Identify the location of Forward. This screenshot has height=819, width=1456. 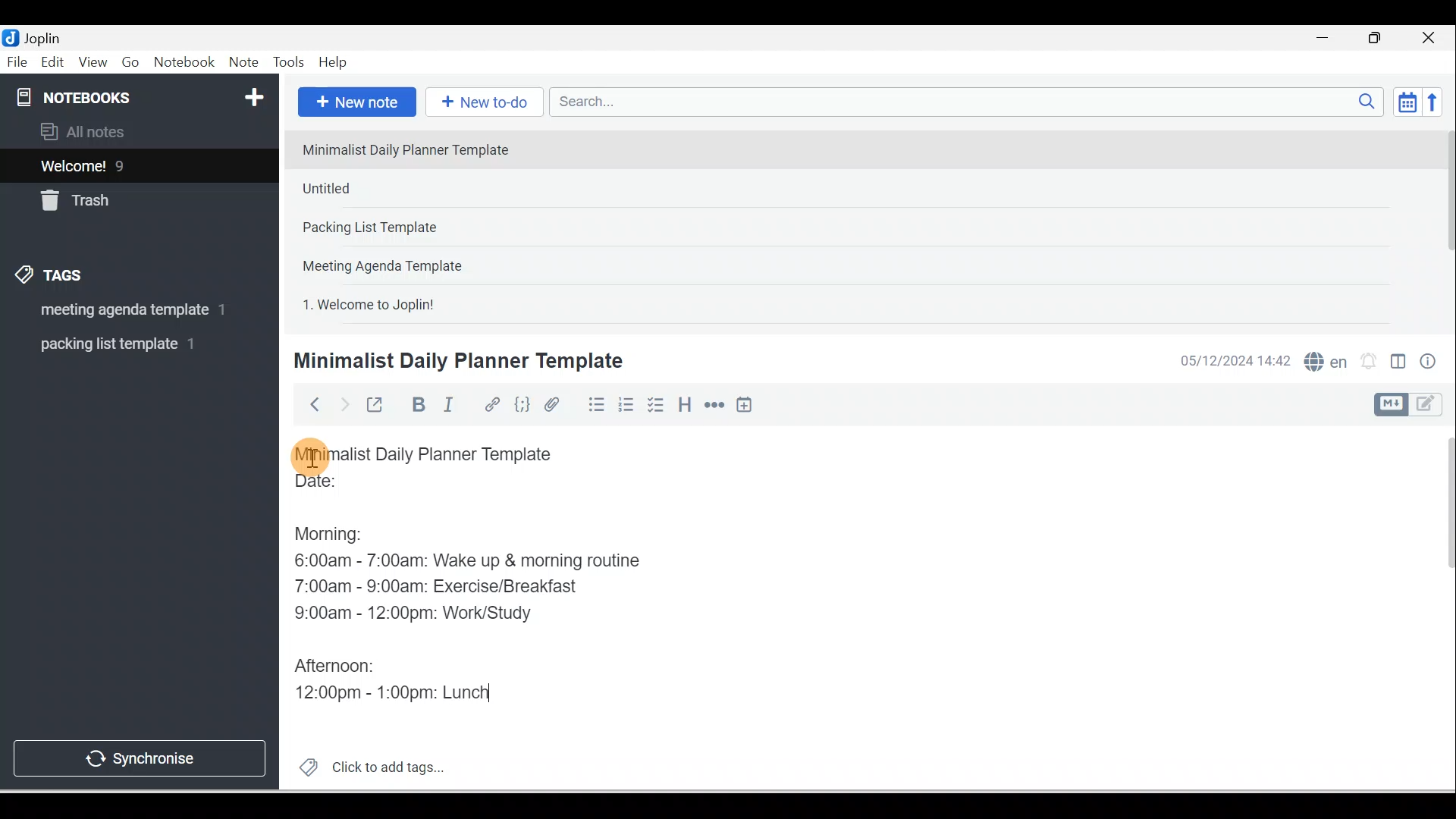
(343, 403).